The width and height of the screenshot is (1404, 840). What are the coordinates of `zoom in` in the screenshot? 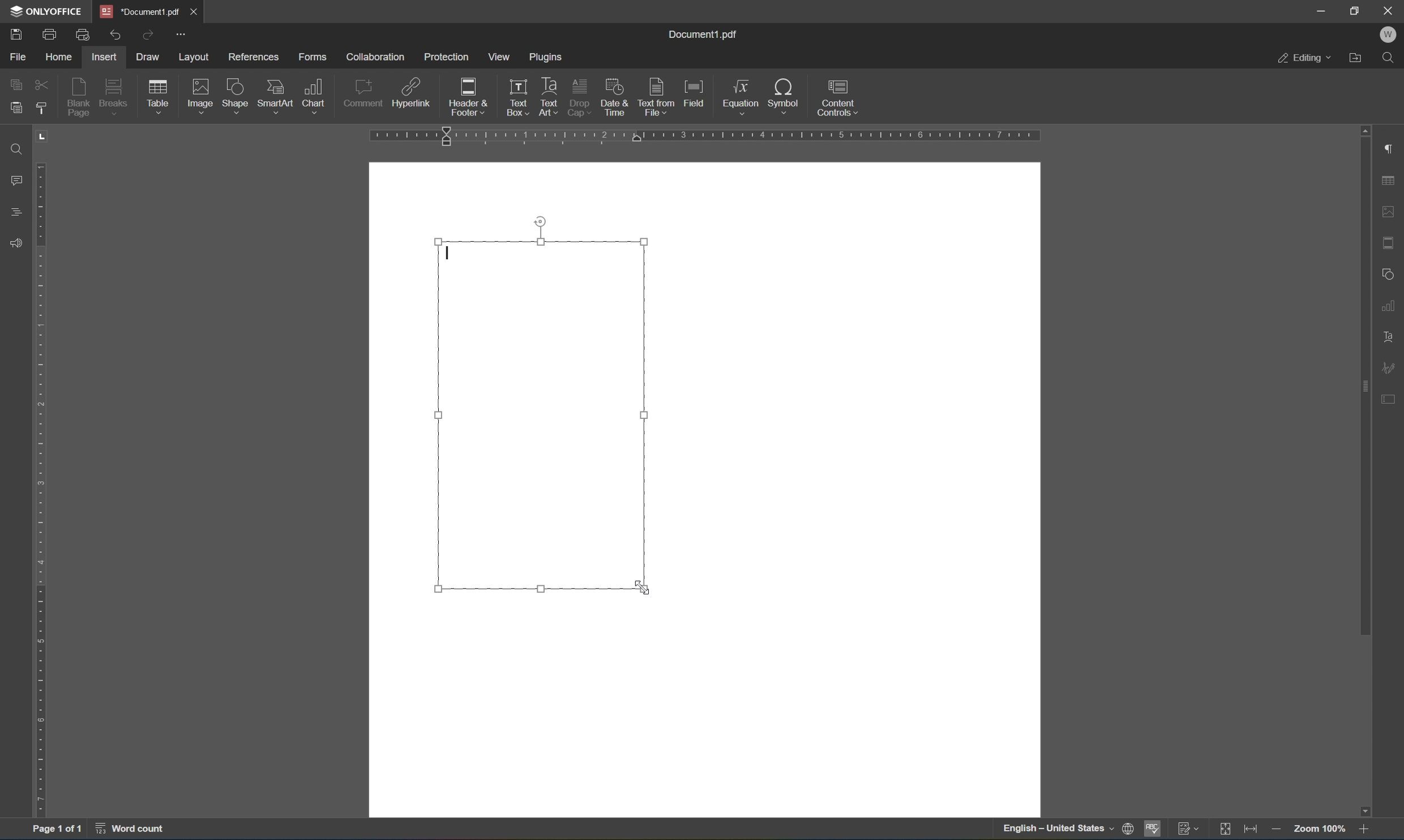 It's located at (1279, 830).